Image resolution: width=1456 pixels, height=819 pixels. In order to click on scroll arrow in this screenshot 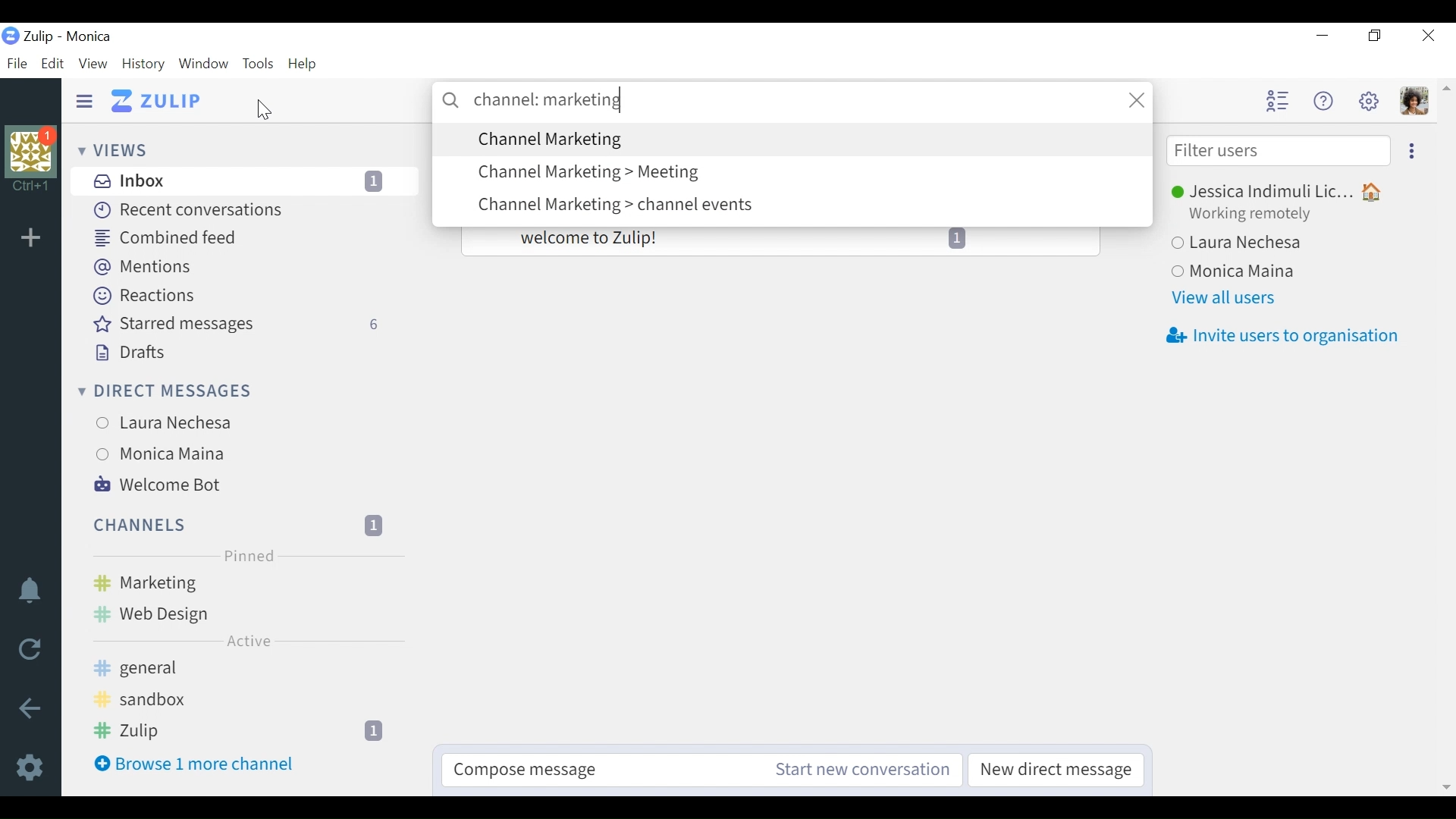, I will do `click(1444, 100)`.